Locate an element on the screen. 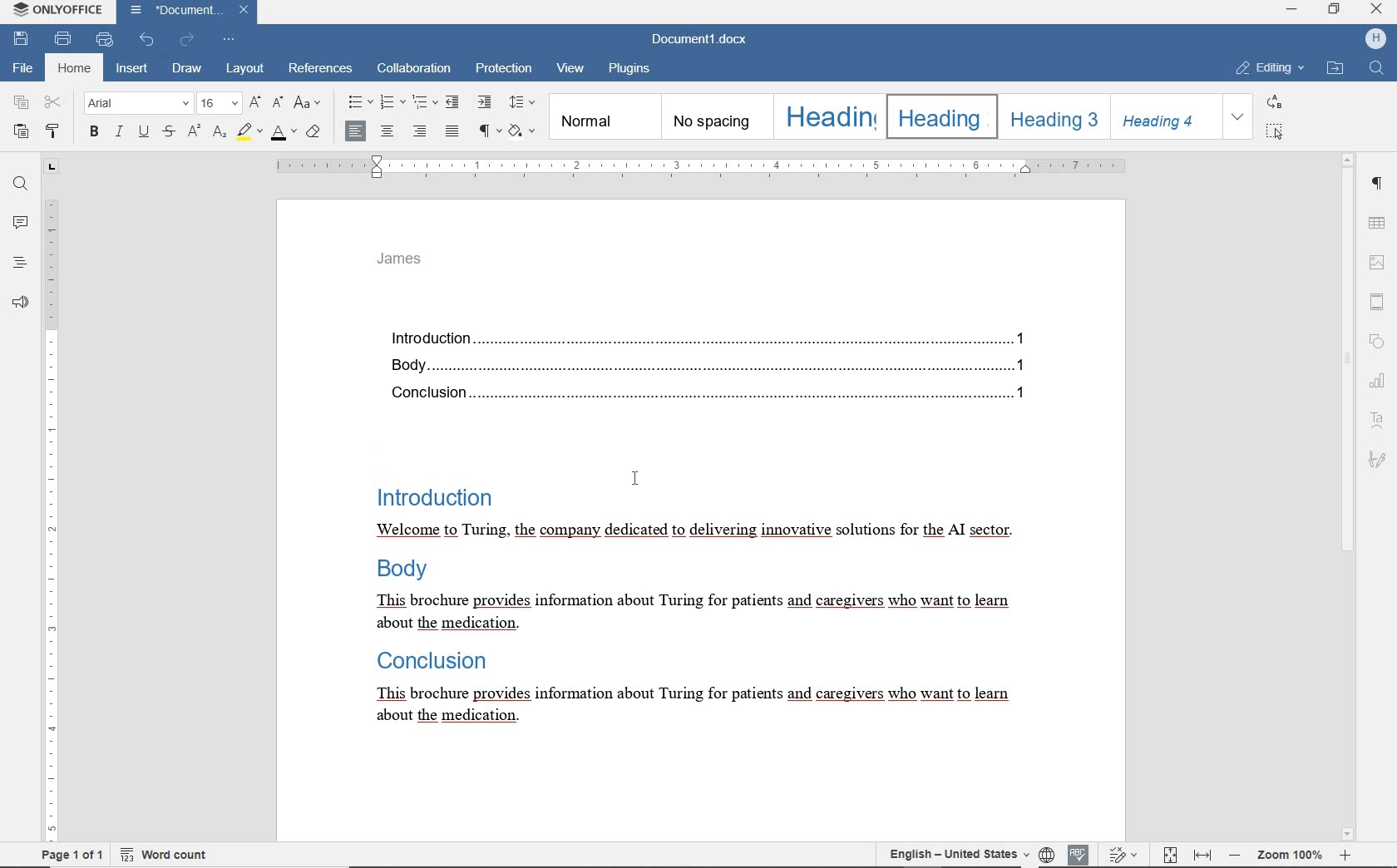 Image resolution: width=1397 pixels, height=868 pixels. subscript is located at coordinates (219, 132).